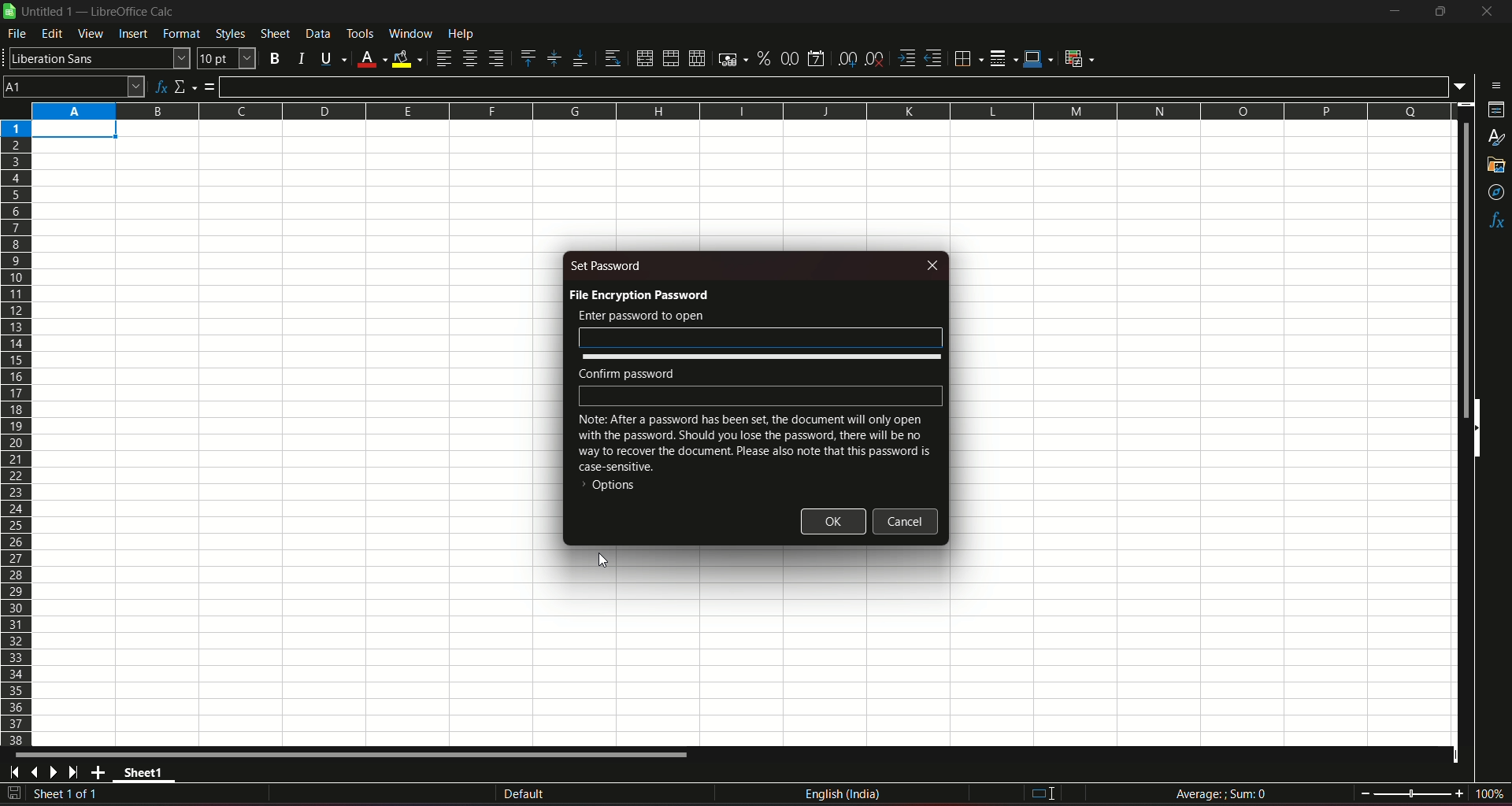 The height and width of the screenshot is (806, 1512). I want to click on Format, so click(181, 35).